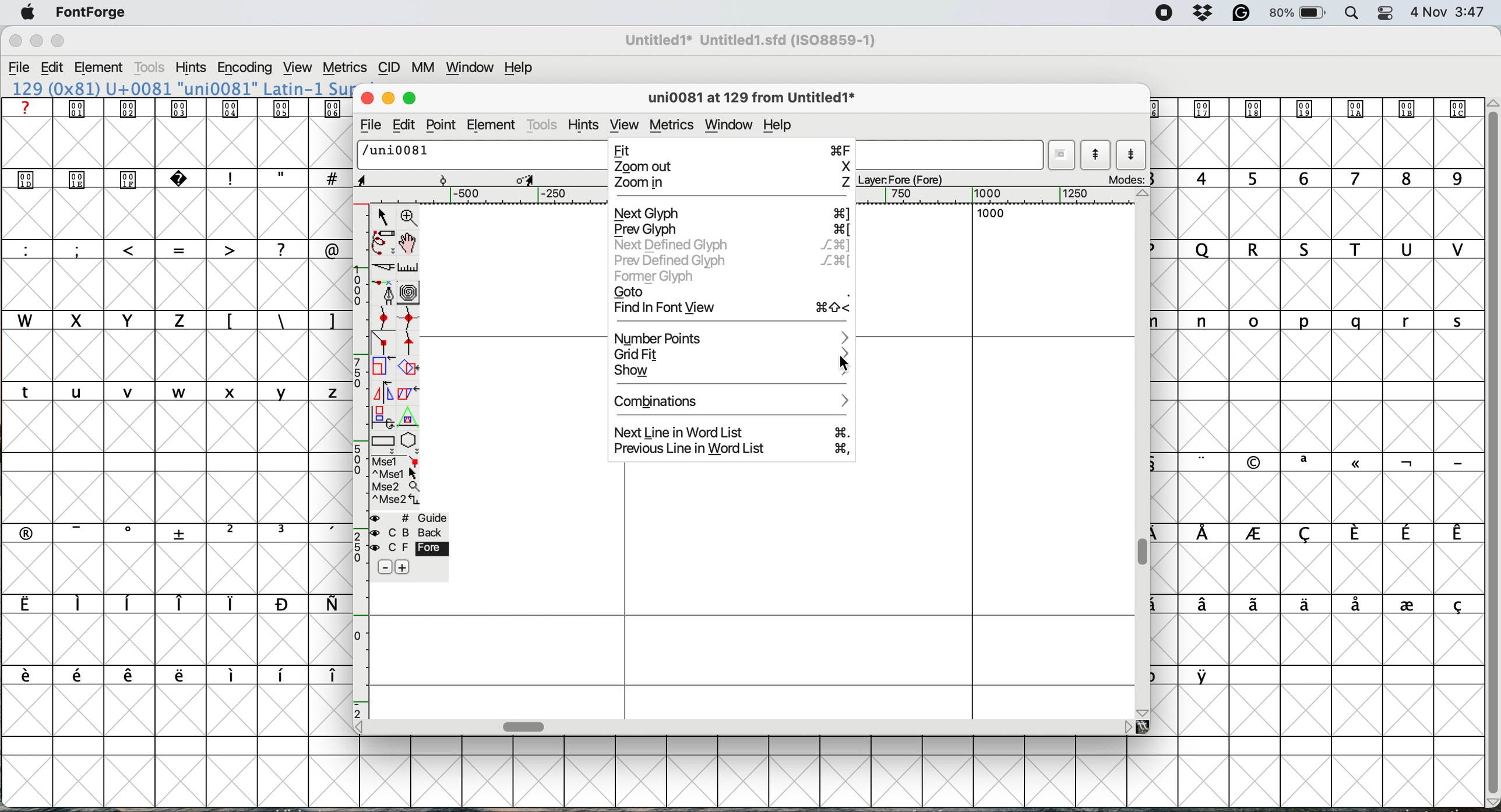  What do you see at coordinates (729, 125) in the screenshot?
I see `window` at bounding box center [729, 125].